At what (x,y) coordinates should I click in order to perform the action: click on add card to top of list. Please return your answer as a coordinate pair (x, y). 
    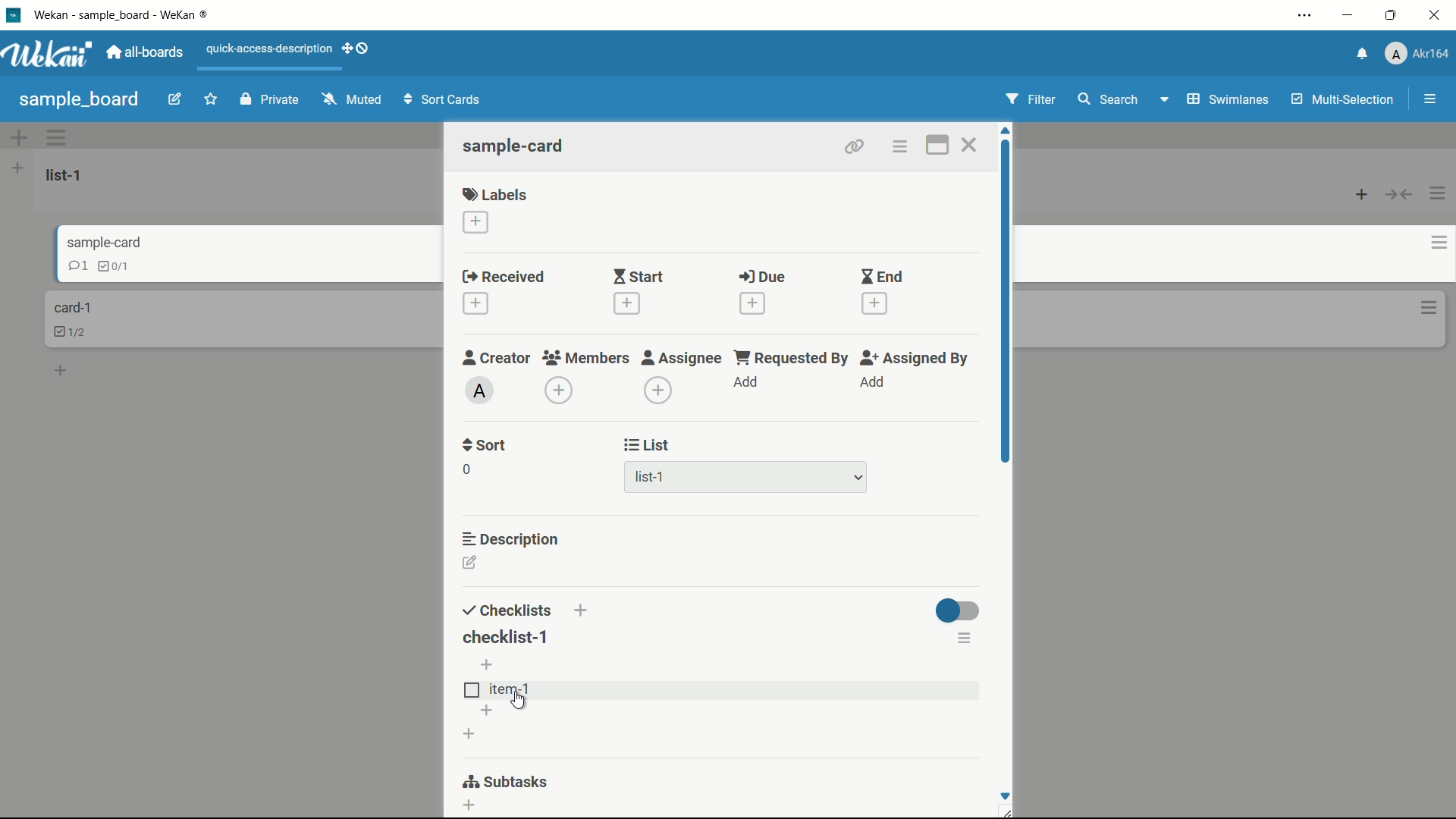
    Looking at the image, I should click on (1362, 196).